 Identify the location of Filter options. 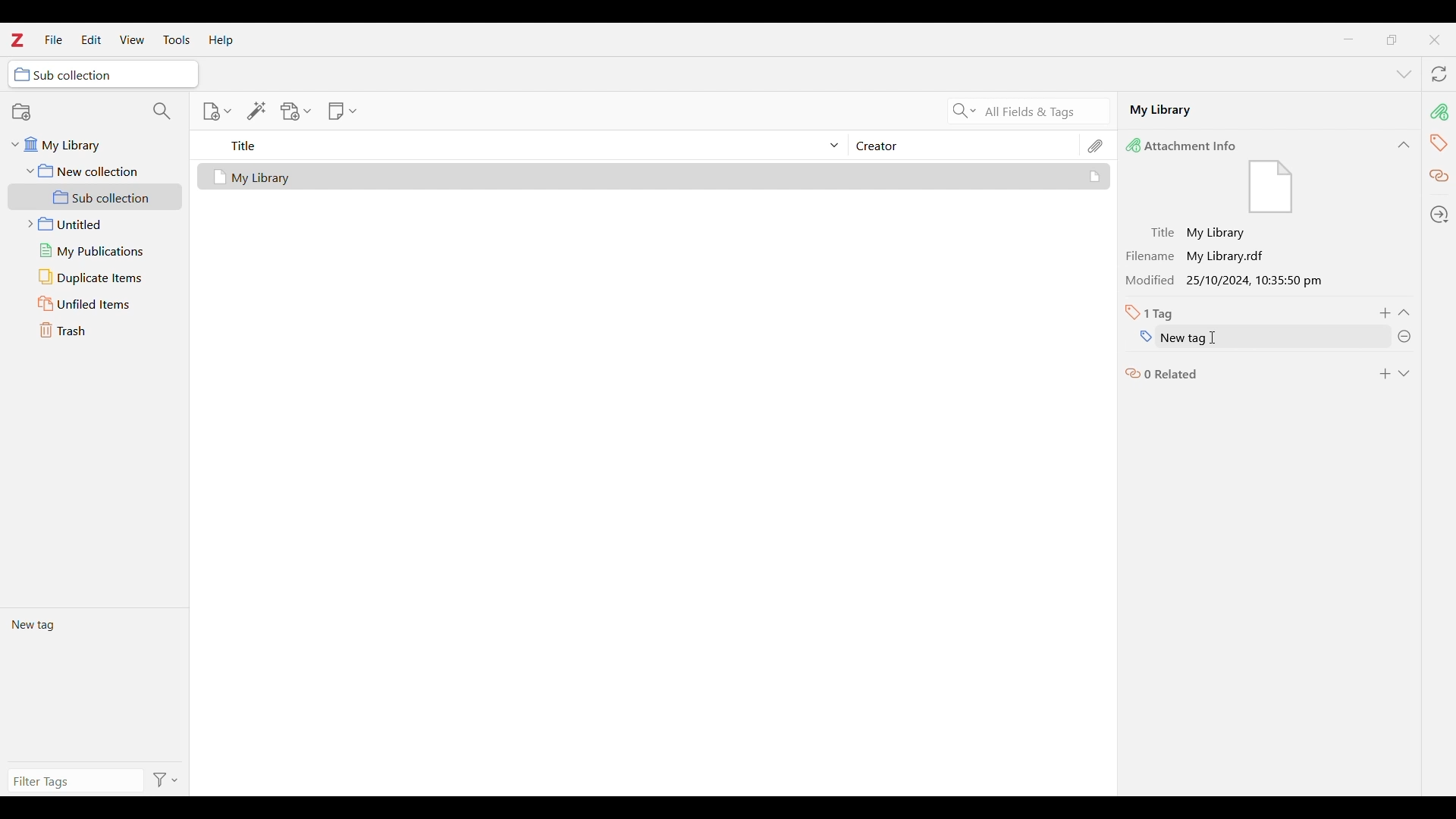
(166, 781).